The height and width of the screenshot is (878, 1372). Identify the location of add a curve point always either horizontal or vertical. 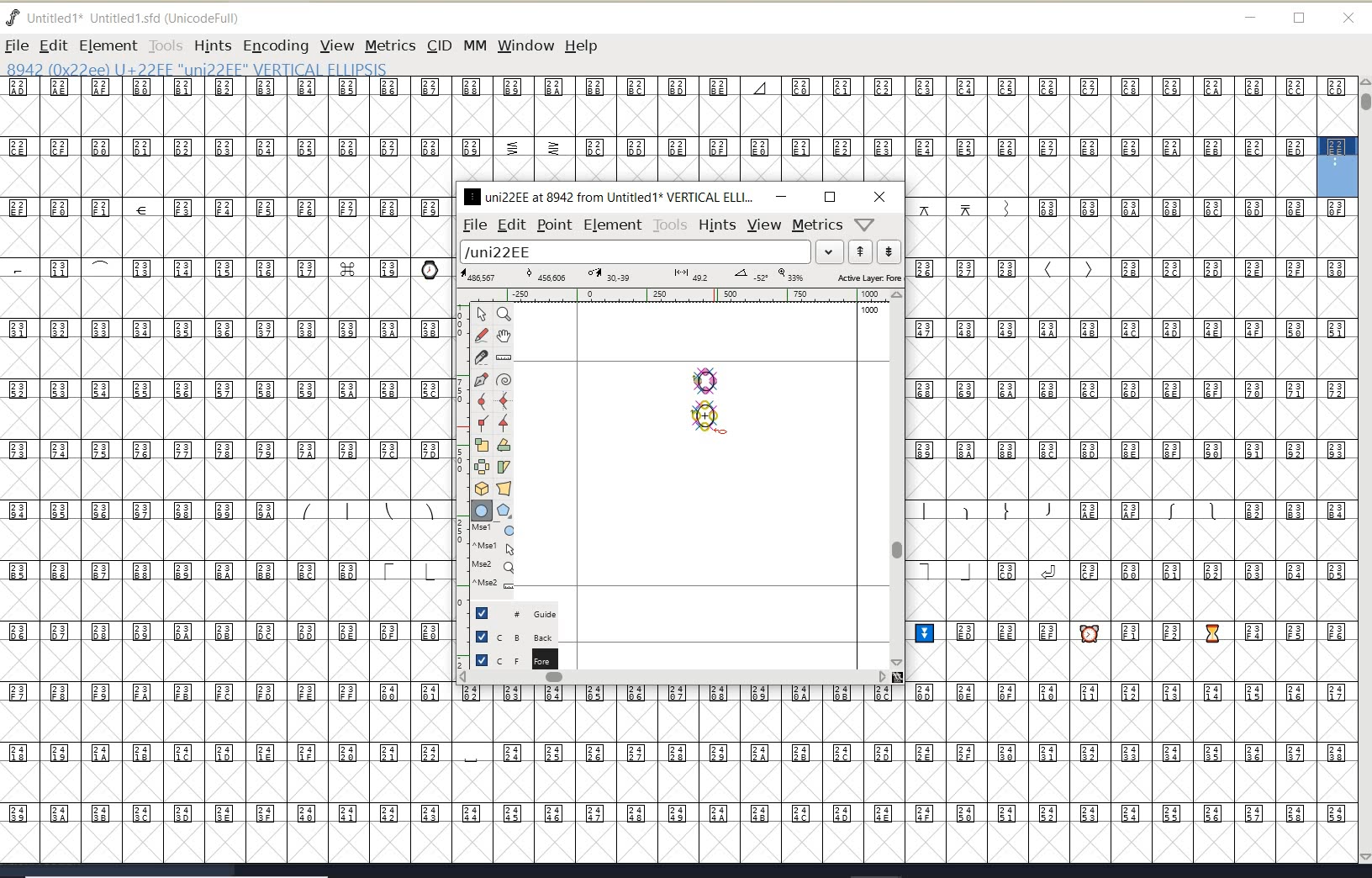
(502, 400).